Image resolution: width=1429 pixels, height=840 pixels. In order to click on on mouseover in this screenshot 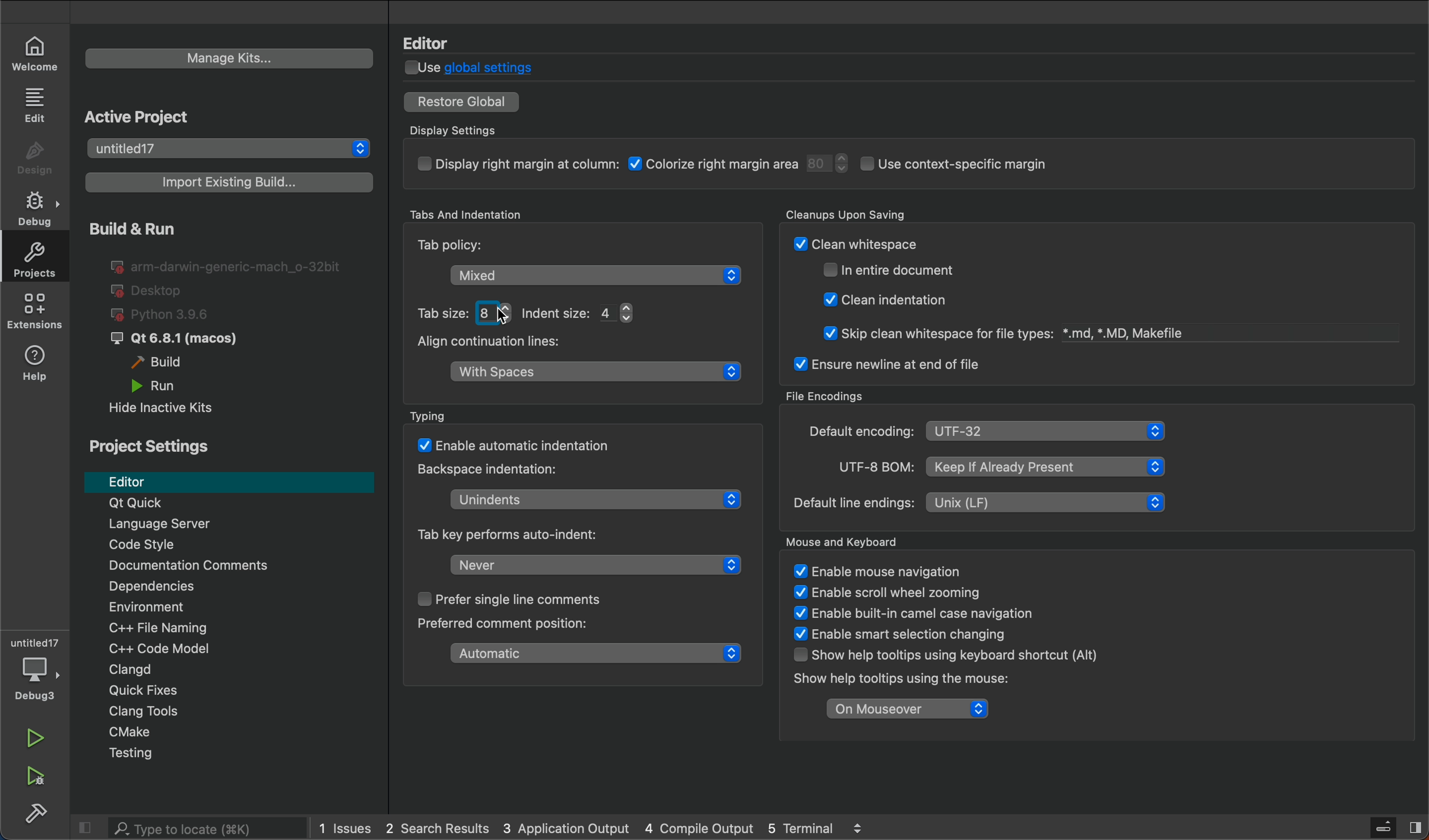, I will do `click(904, 709)`.